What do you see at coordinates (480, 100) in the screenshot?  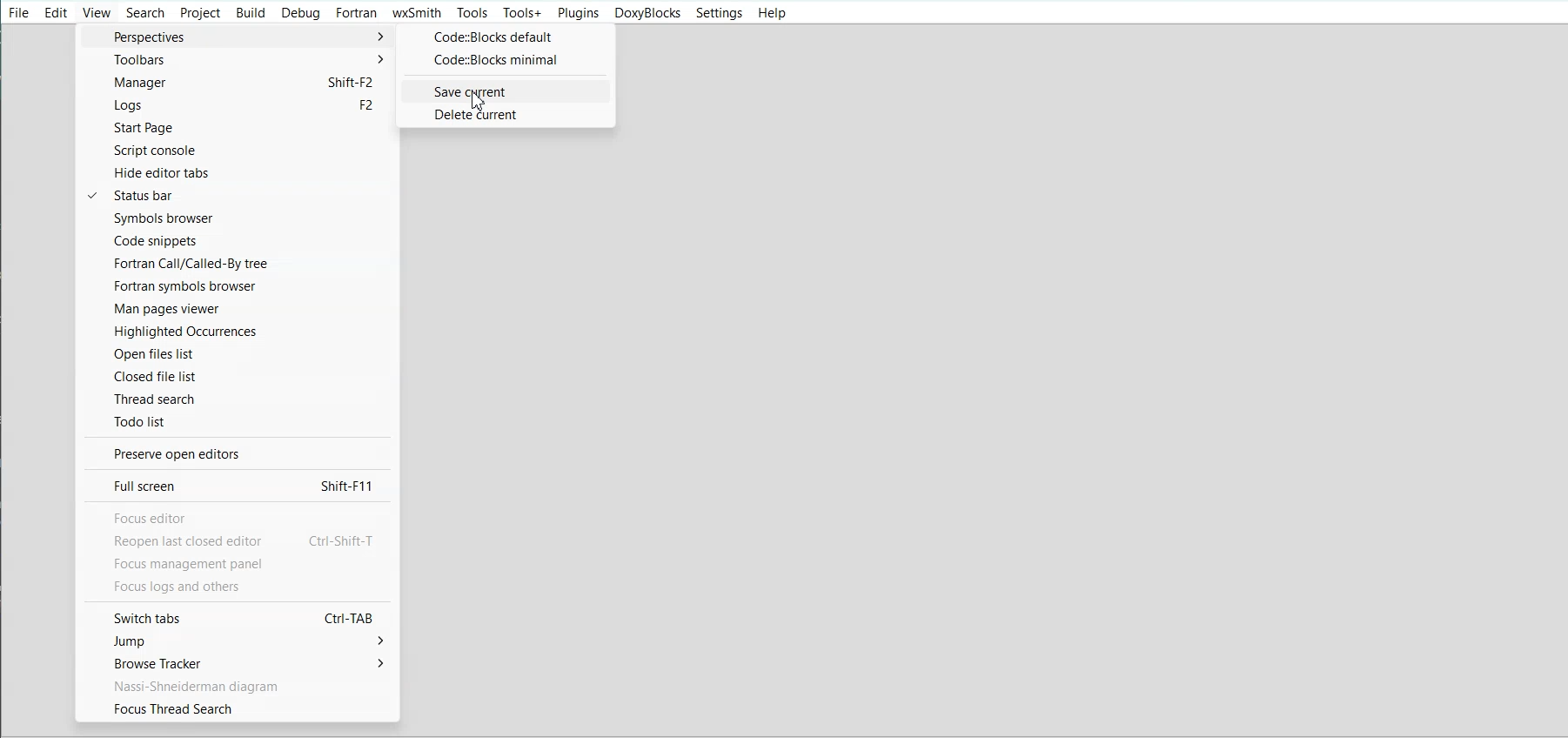 I see `Cursor` at bounding box center [480, 100].